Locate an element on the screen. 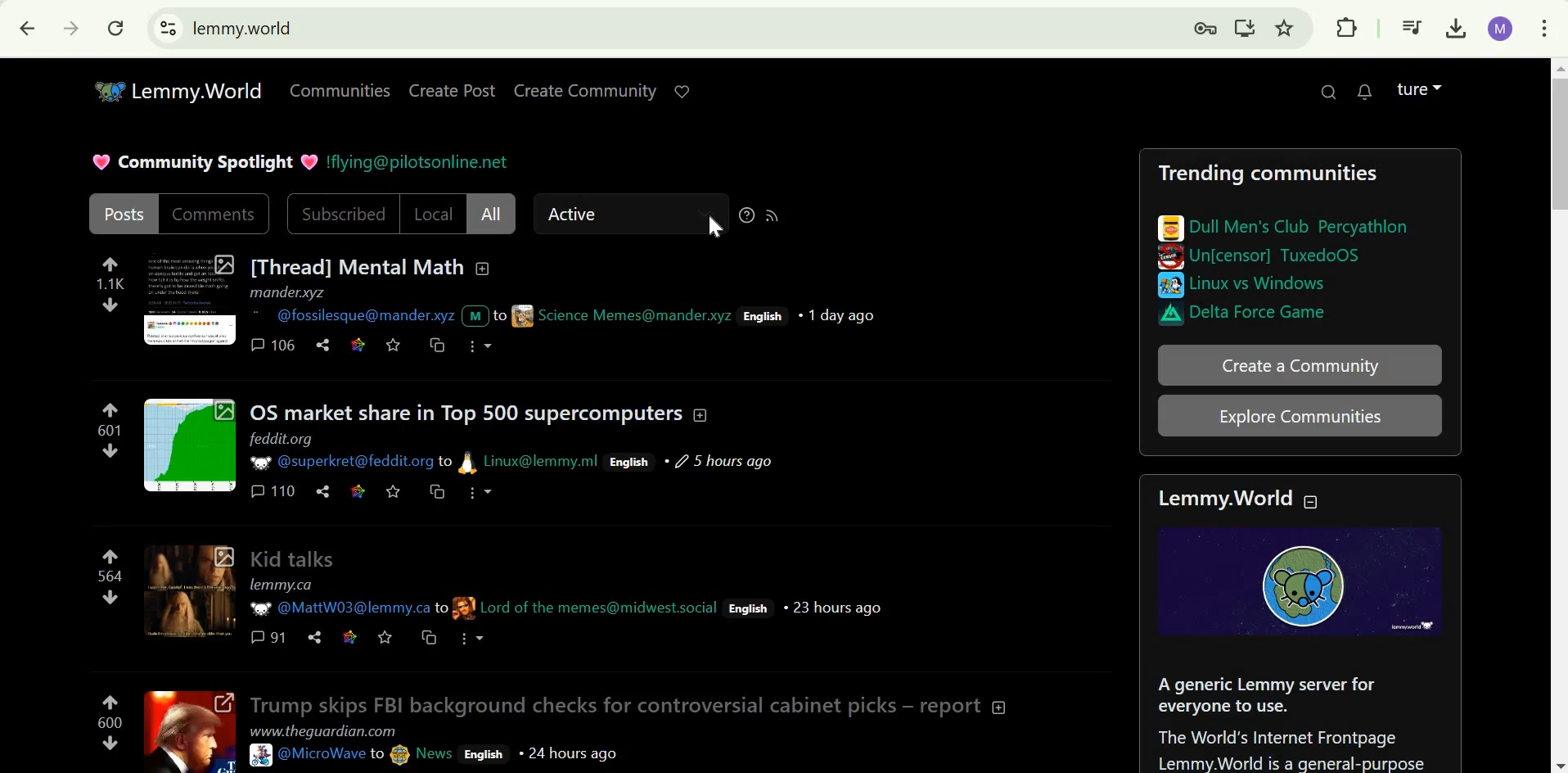 This screenshot has height=773, width=1568. Active is located at coordinates (578, 215).